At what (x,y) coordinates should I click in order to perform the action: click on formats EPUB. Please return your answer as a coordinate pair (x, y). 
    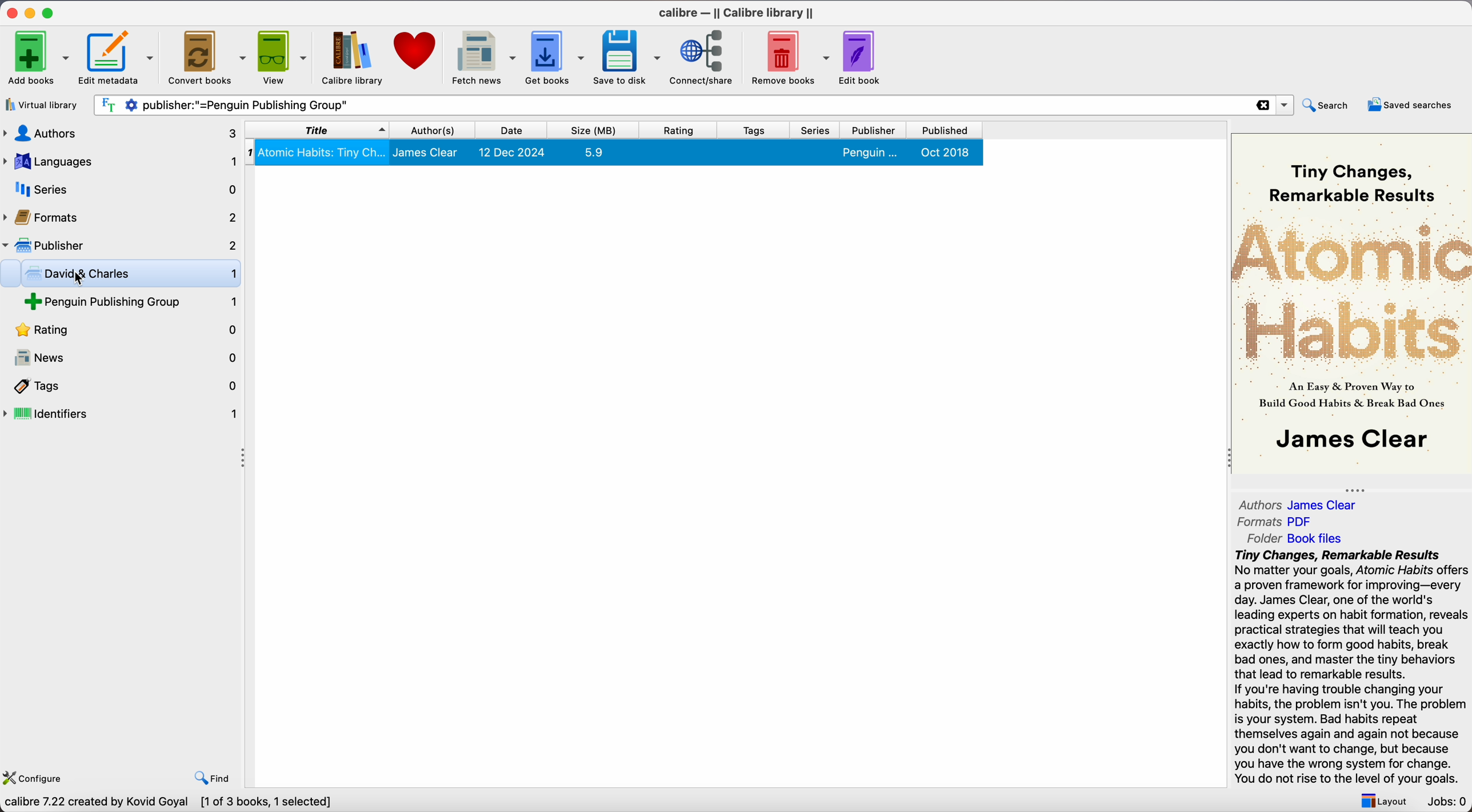
    Looking at the image, I should click on (1284, 521).